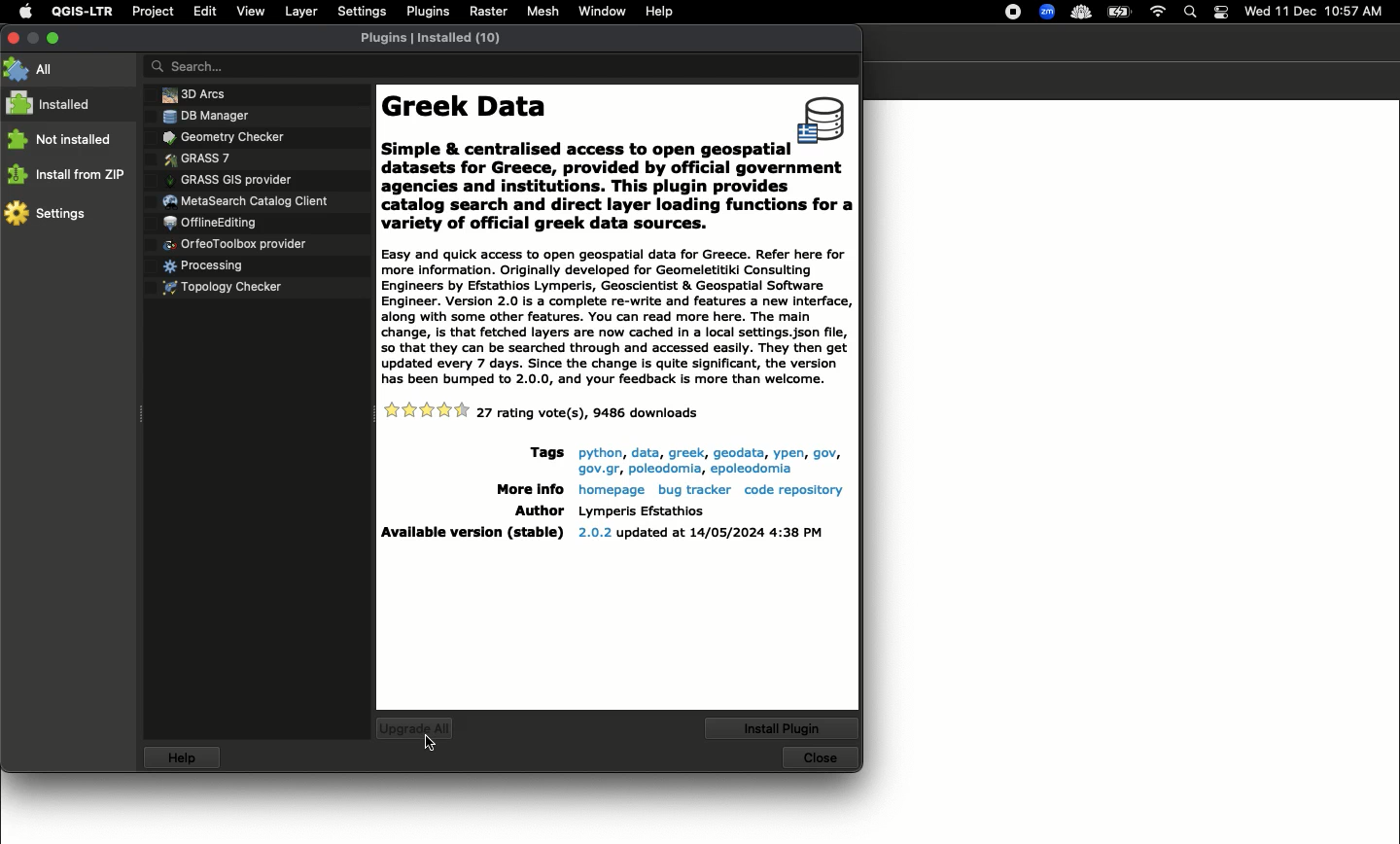 The width and height of the screenshot is (1400, 844). Describe the element at coordinates (427, 10) in the screenshot. I see `Plugins` at that location.